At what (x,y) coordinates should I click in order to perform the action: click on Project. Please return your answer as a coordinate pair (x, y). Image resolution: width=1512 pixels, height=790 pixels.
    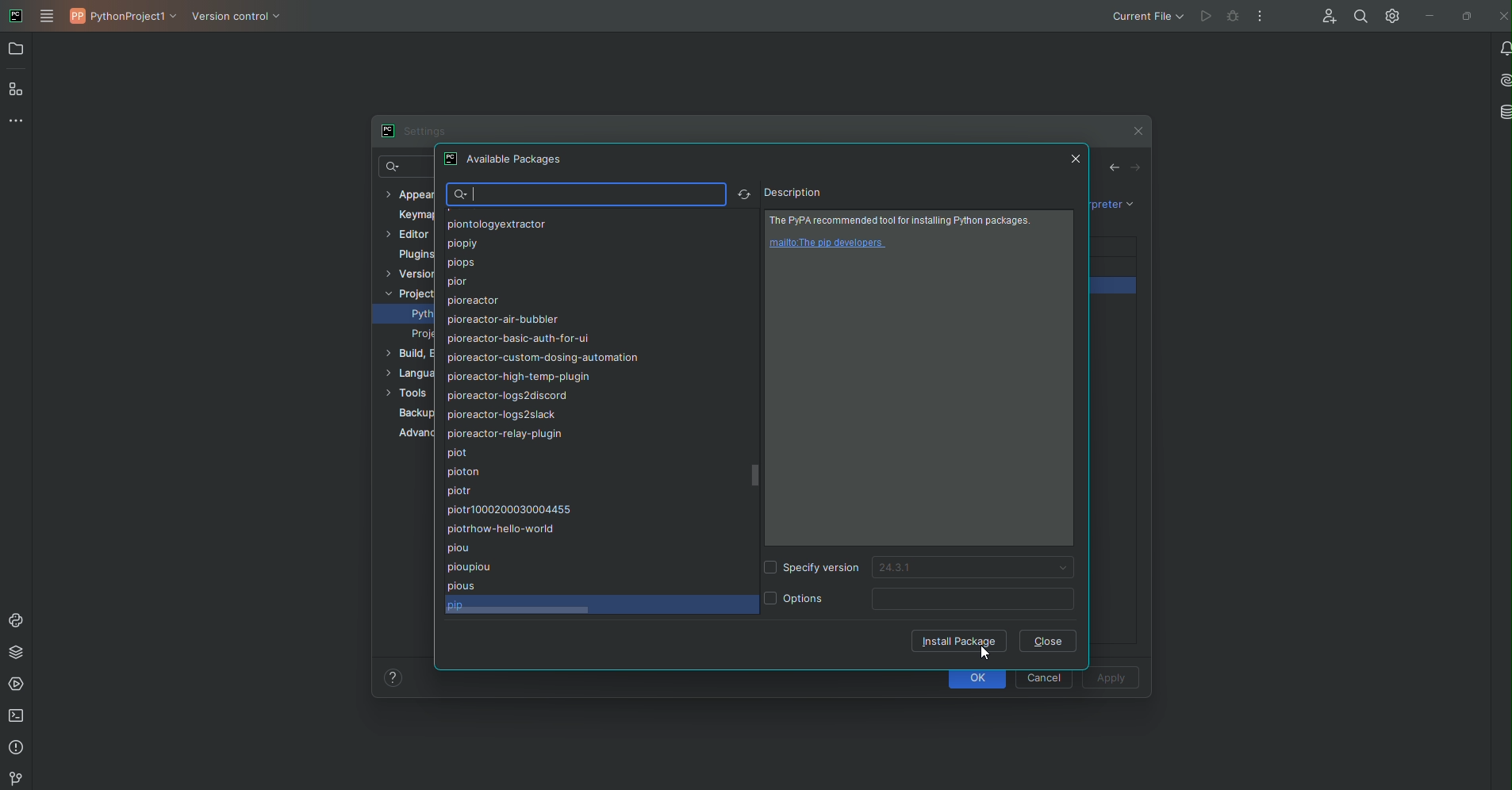
    Looking at the image, I should click on (408, 292).